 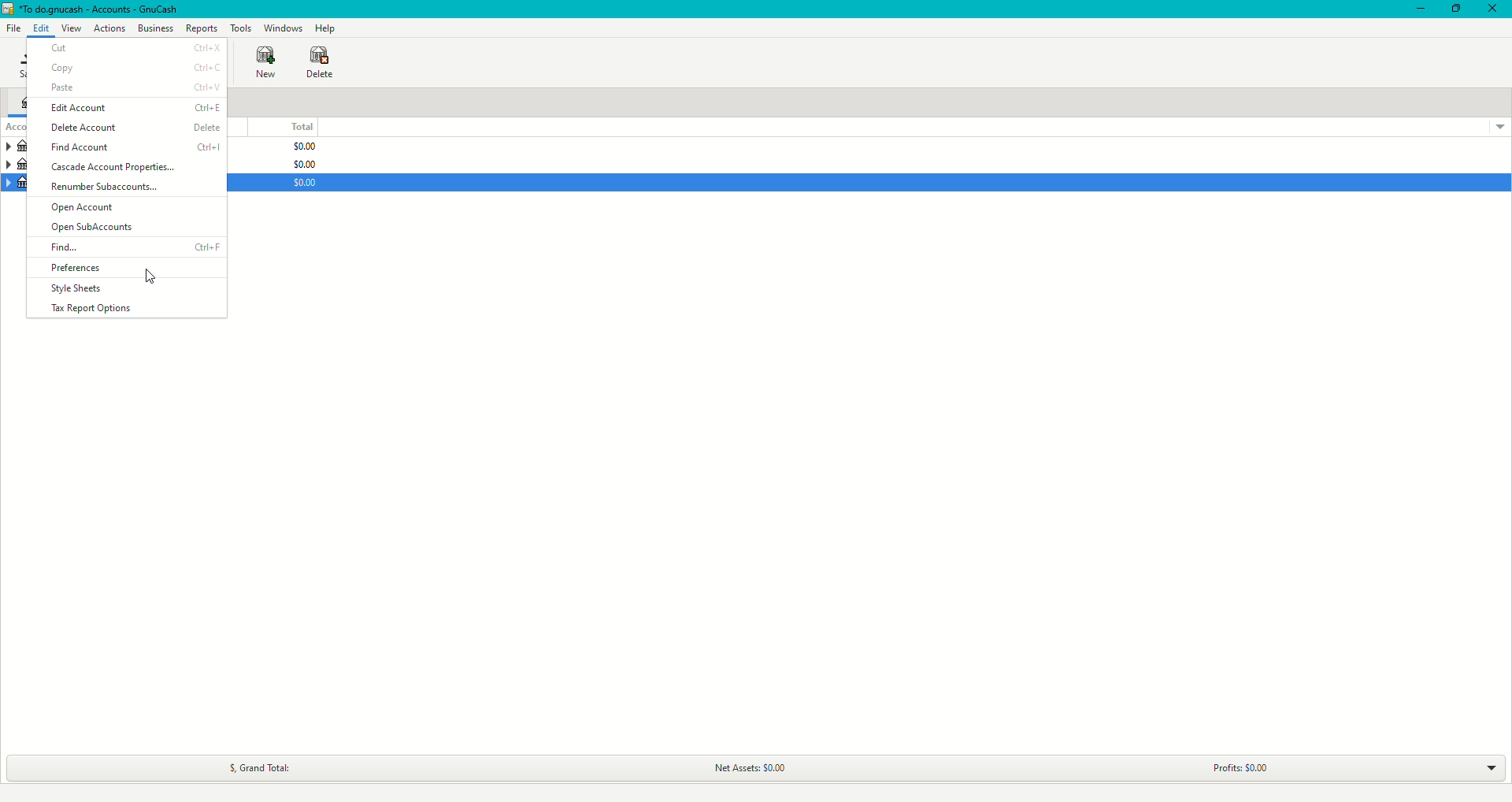 I want to click on Cascade Account , so click(x=113, y=169).